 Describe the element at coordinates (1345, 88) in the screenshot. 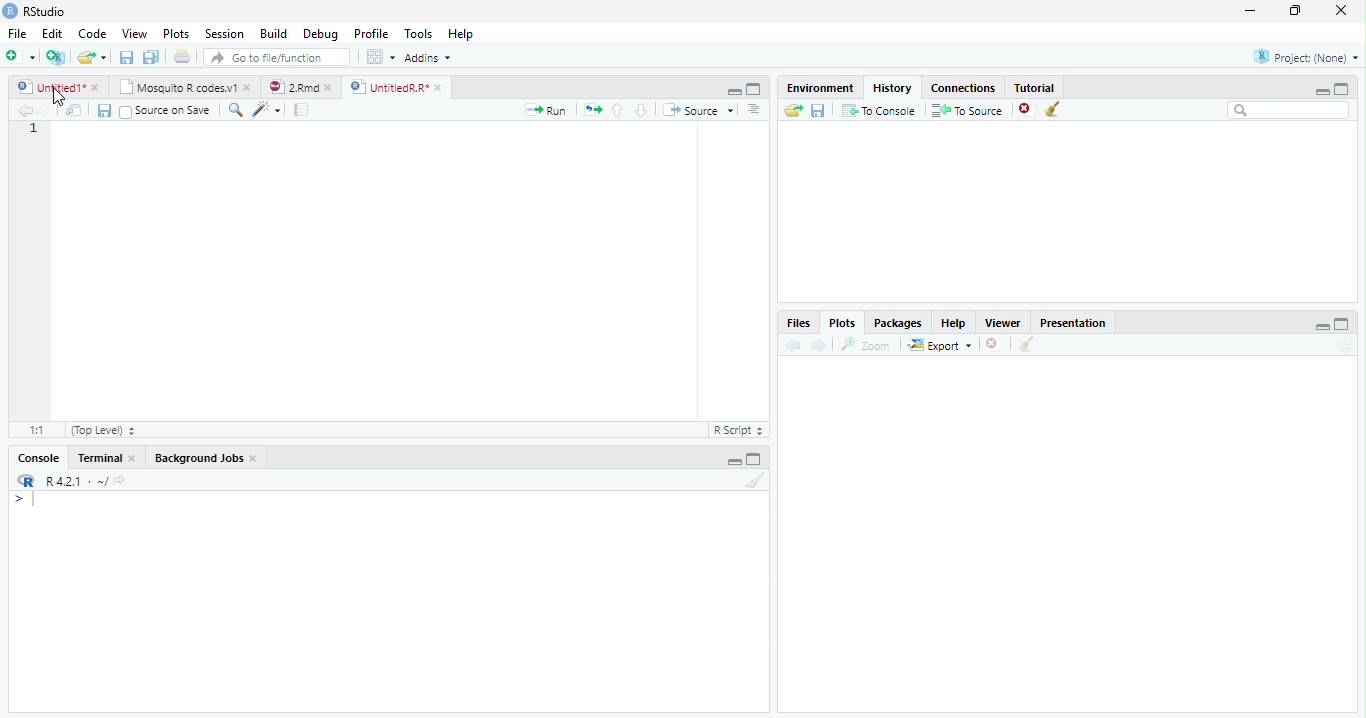

I see `maximize` at that location.